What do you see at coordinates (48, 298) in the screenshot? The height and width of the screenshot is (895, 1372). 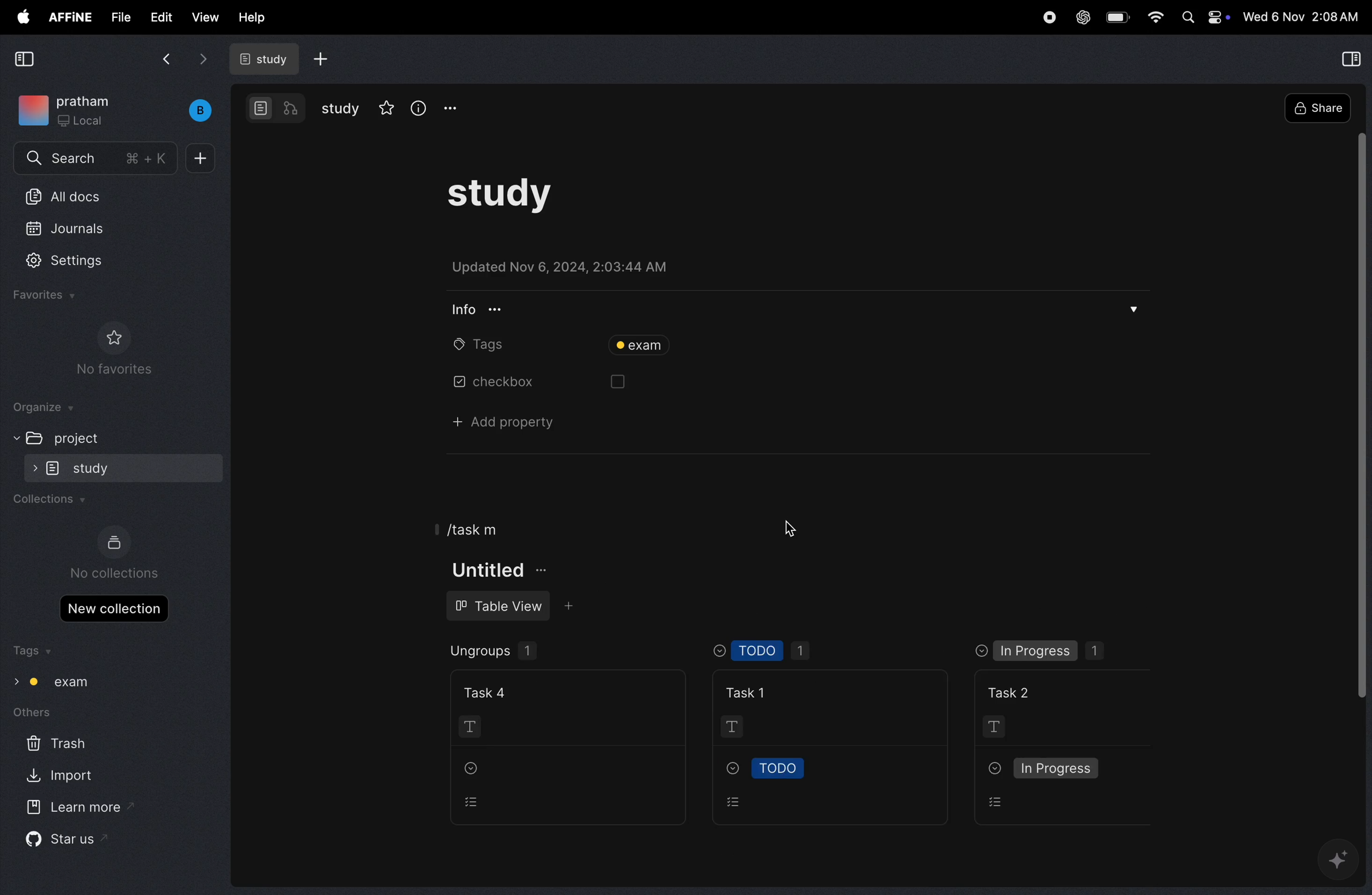 I see `favourites` at bounding box center [48, 298].